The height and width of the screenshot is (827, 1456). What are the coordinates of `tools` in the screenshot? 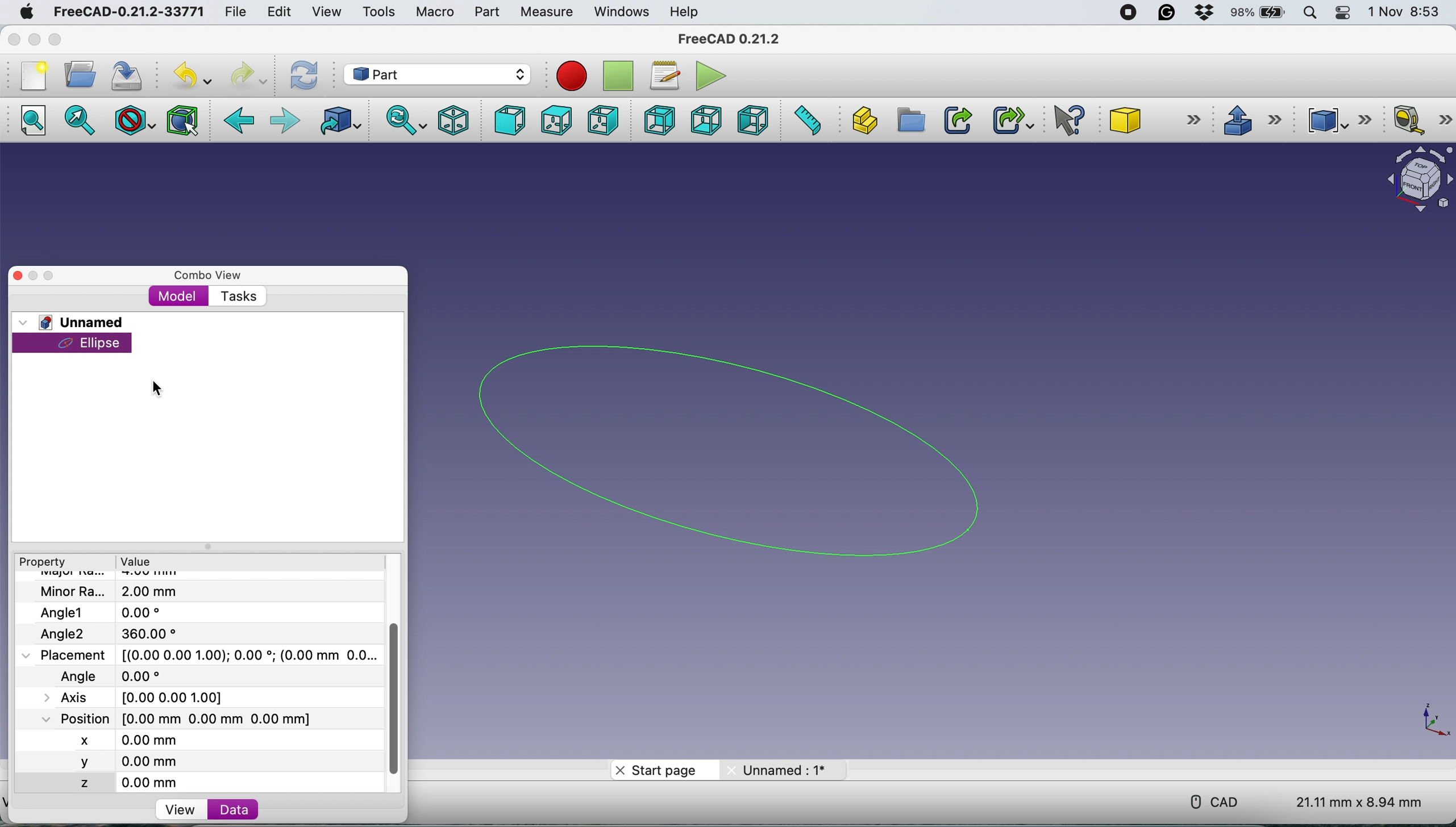 It's located at (379, 12).